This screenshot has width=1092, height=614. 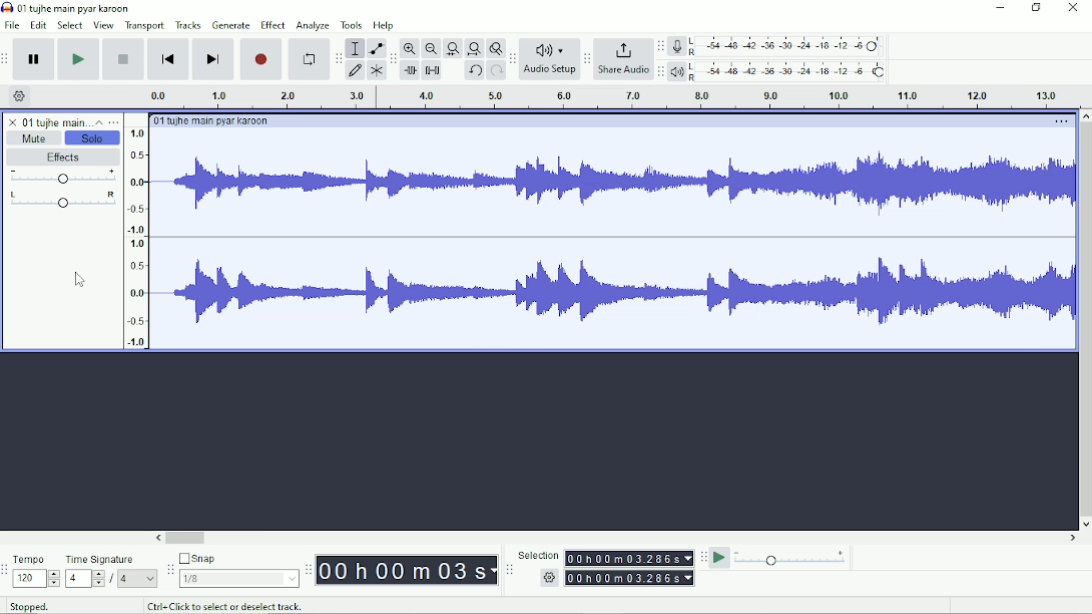 I want to click on Snap, so click(x=239, y=559).